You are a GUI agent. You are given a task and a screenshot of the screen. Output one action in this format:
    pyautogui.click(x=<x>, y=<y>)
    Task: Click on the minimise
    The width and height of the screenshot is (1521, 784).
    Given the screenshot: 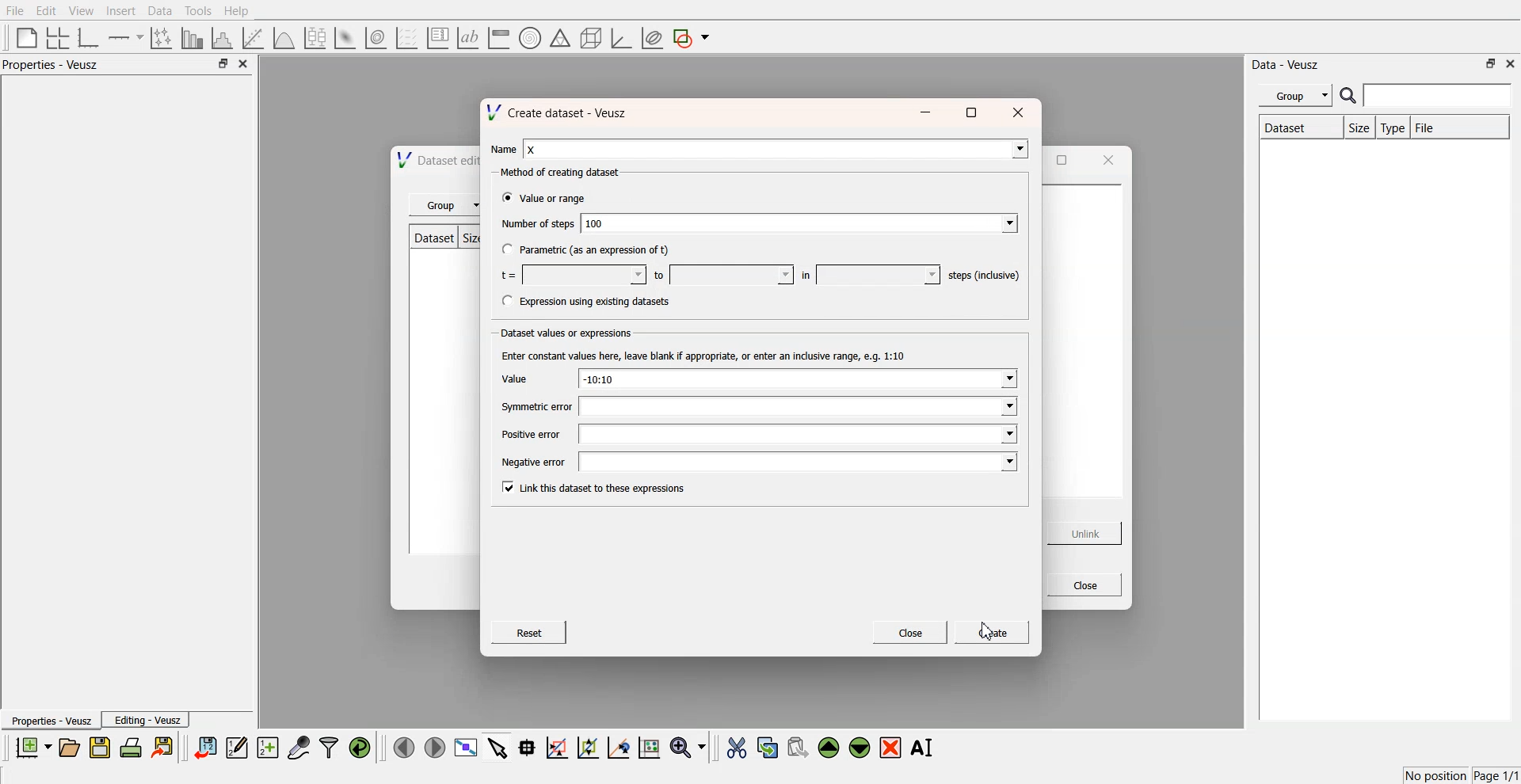 What is the action you would take?
    pyautogui.click(x=928, y=110)
    